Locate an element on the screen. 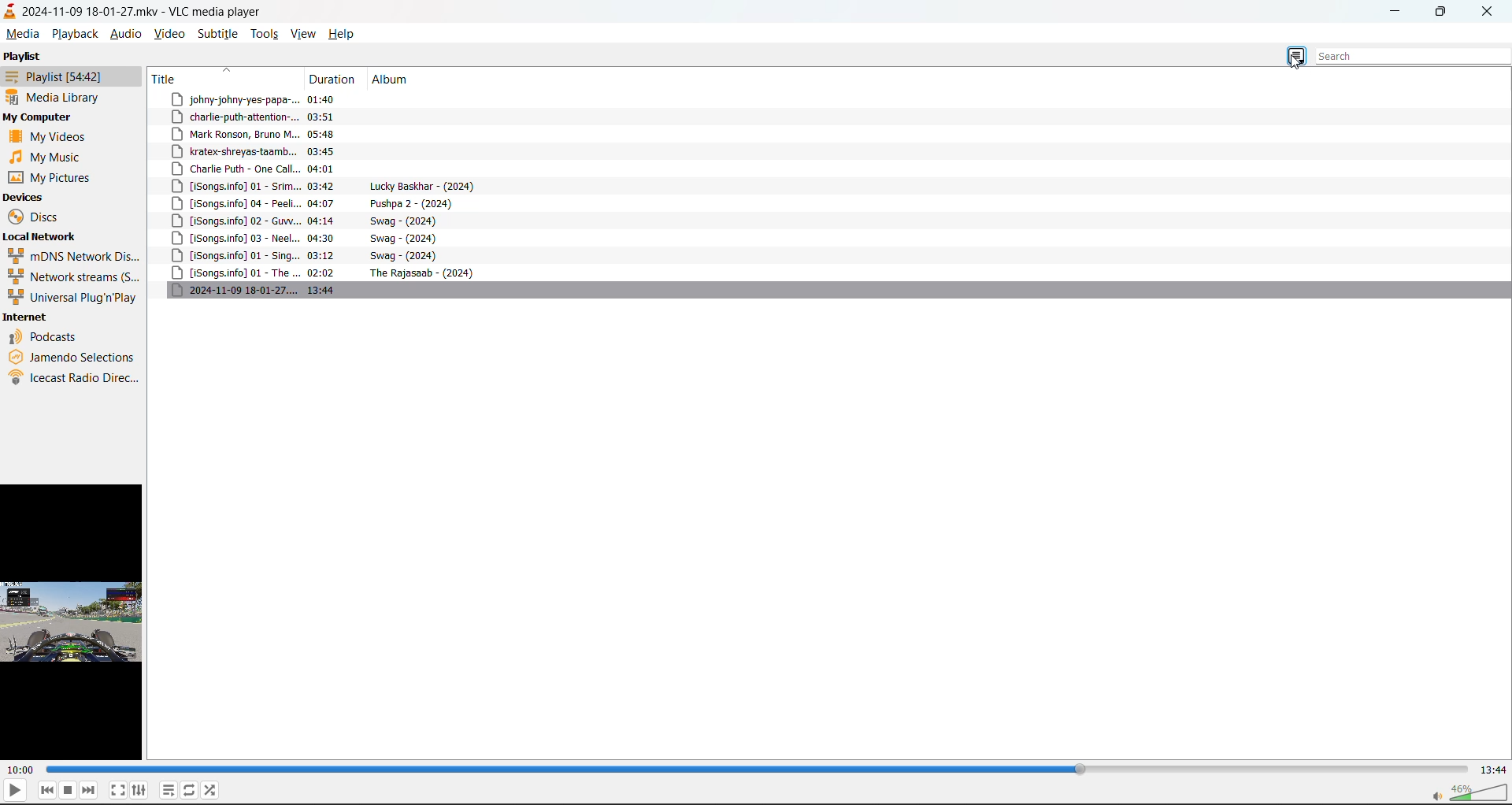 The image size is (1512, 805). cursor is located at coordinates (1293, 64).